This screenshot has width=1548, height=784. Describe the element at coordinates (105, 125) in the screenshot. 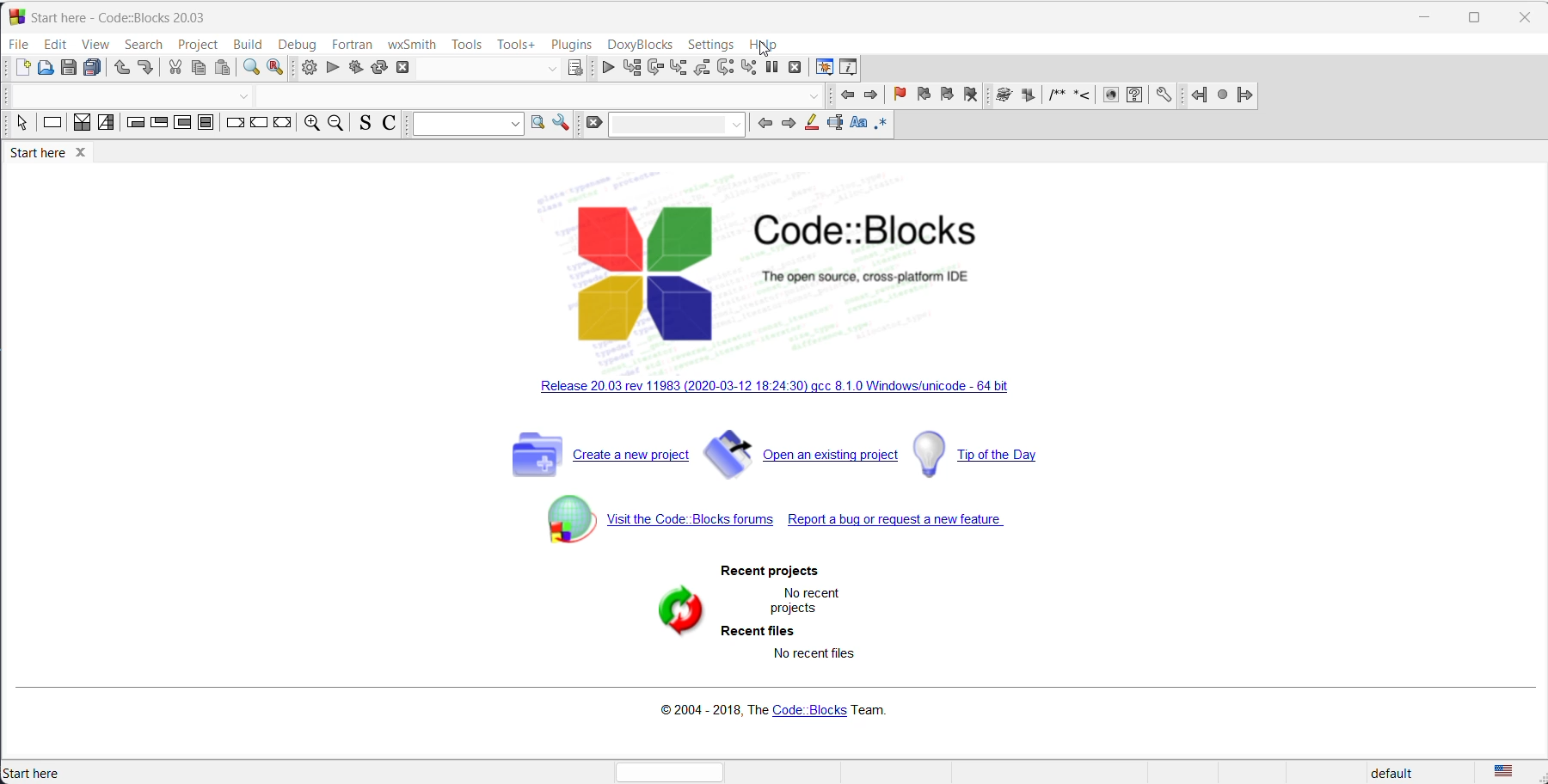

I see `selection` at that location.